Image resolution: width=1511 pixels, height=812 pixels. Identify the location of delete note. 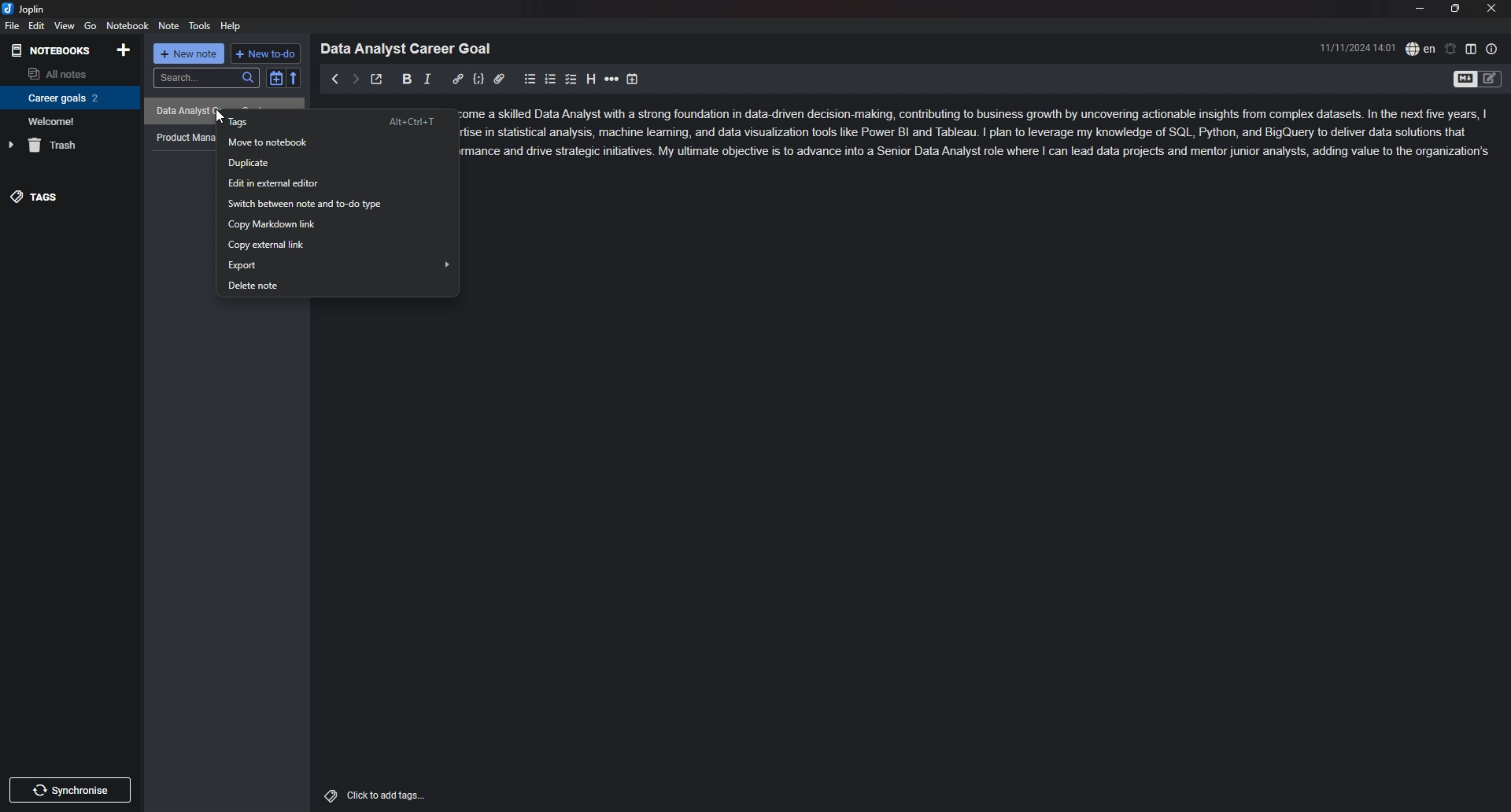
(338, 285).